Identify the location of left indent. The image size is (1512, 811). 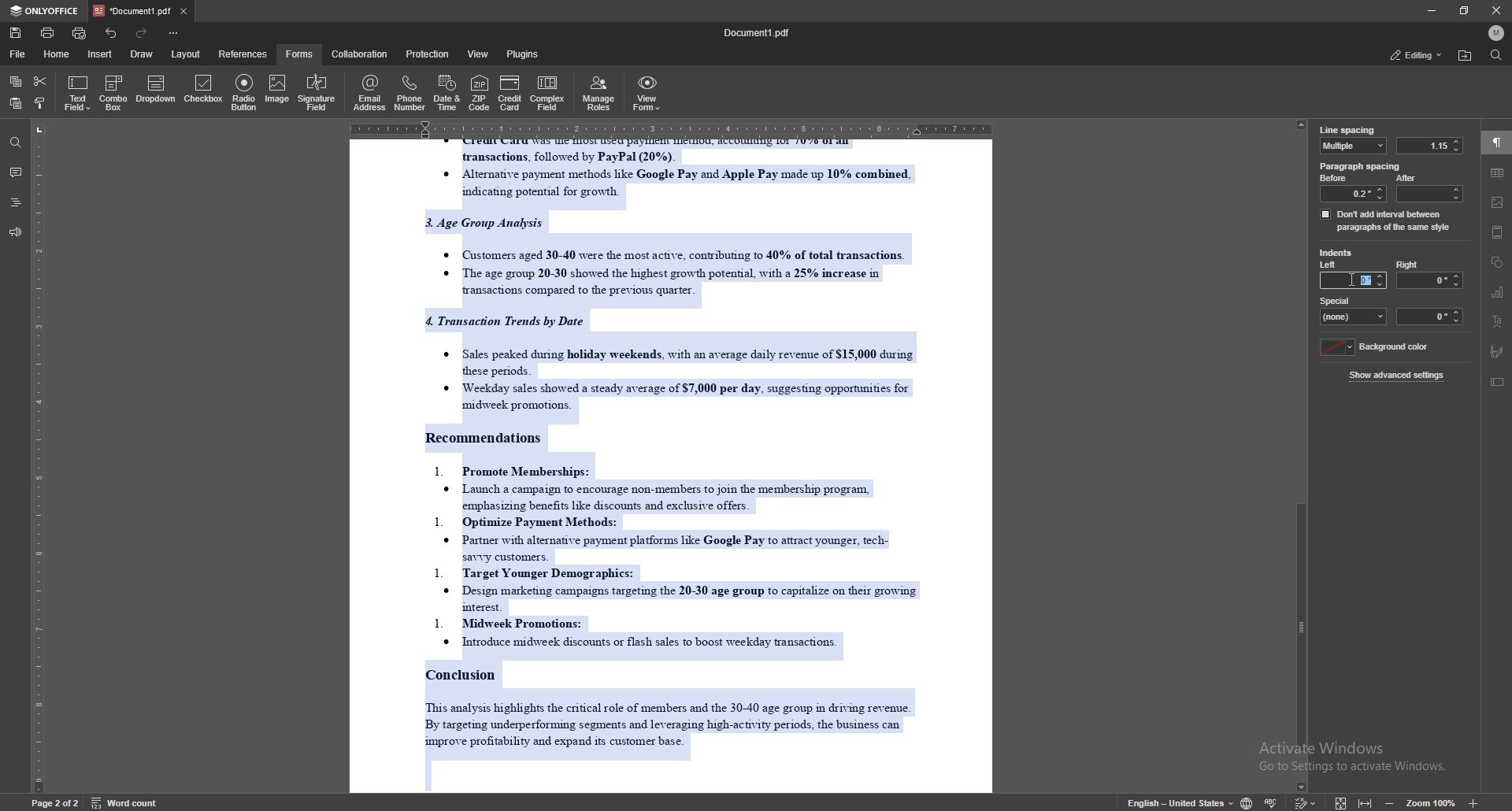
(1329, 266).